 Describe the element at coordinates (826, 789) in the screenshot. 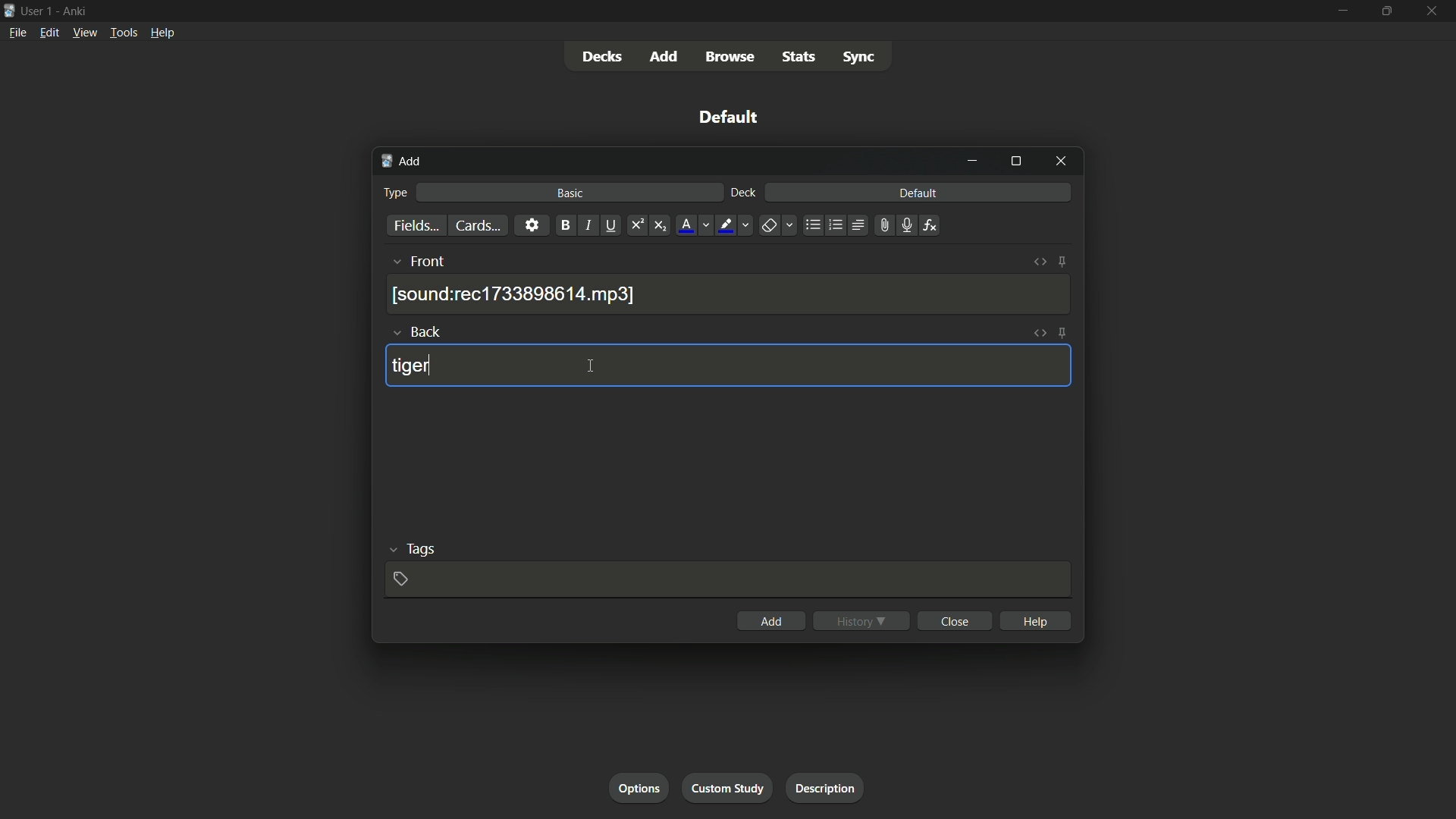

I see `description` at that location.